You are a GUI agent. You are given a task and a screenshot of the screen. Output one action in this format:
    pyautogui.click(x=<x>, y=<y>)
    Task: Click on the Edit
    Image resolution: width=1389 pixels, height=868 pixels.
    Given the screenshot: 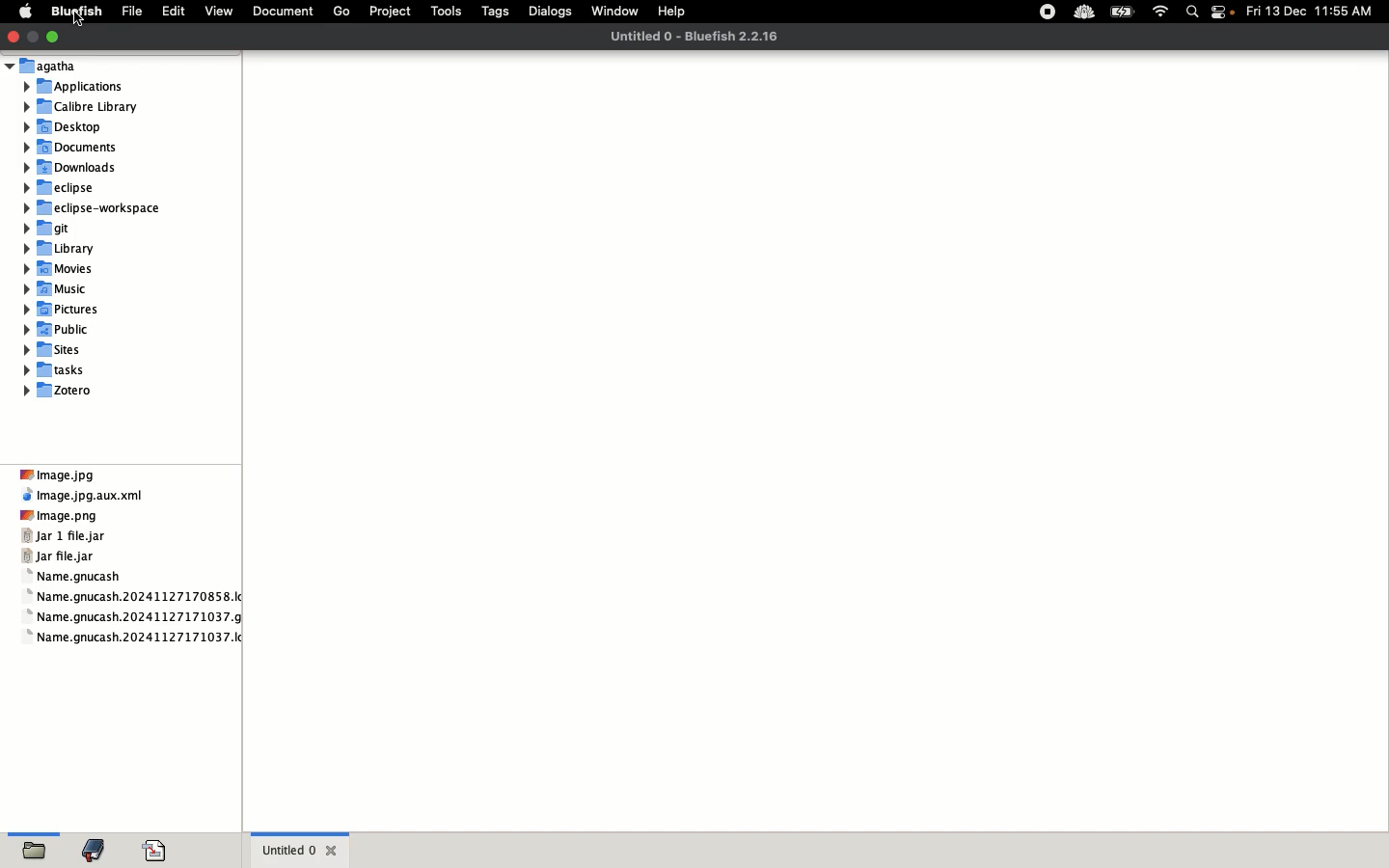 What is the action you would take?
    pyautogui.click(x=170, y=11)
    